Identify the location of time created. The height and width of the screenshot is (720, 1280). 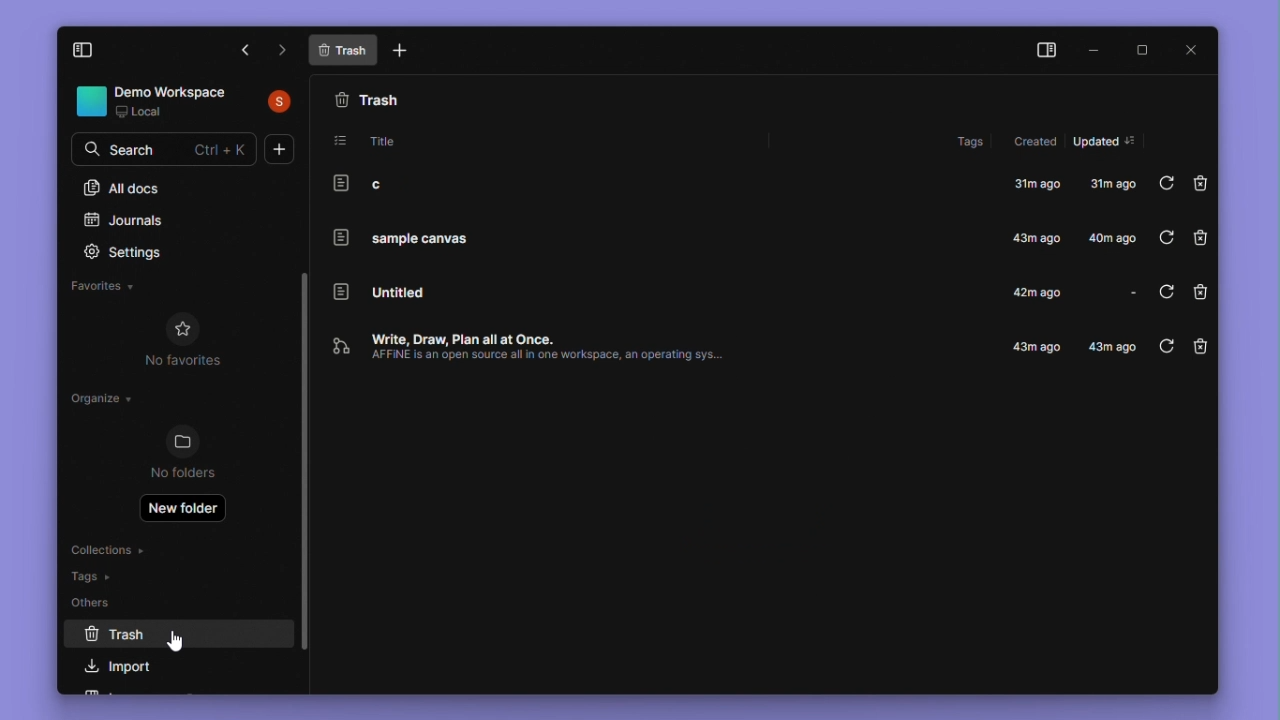
(1040, 292).